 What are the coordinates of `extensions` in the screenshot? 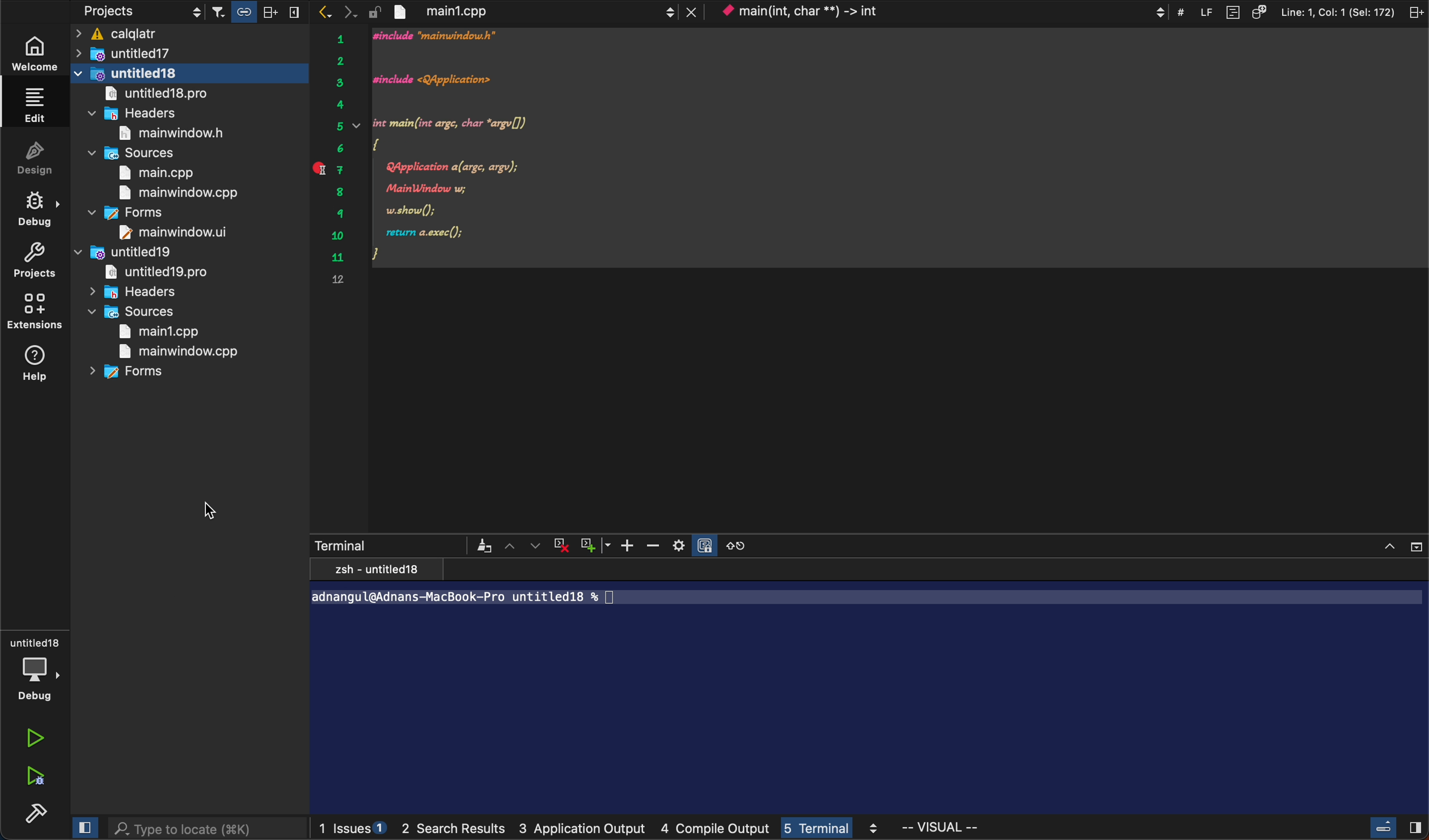 It's located at (35, 312).